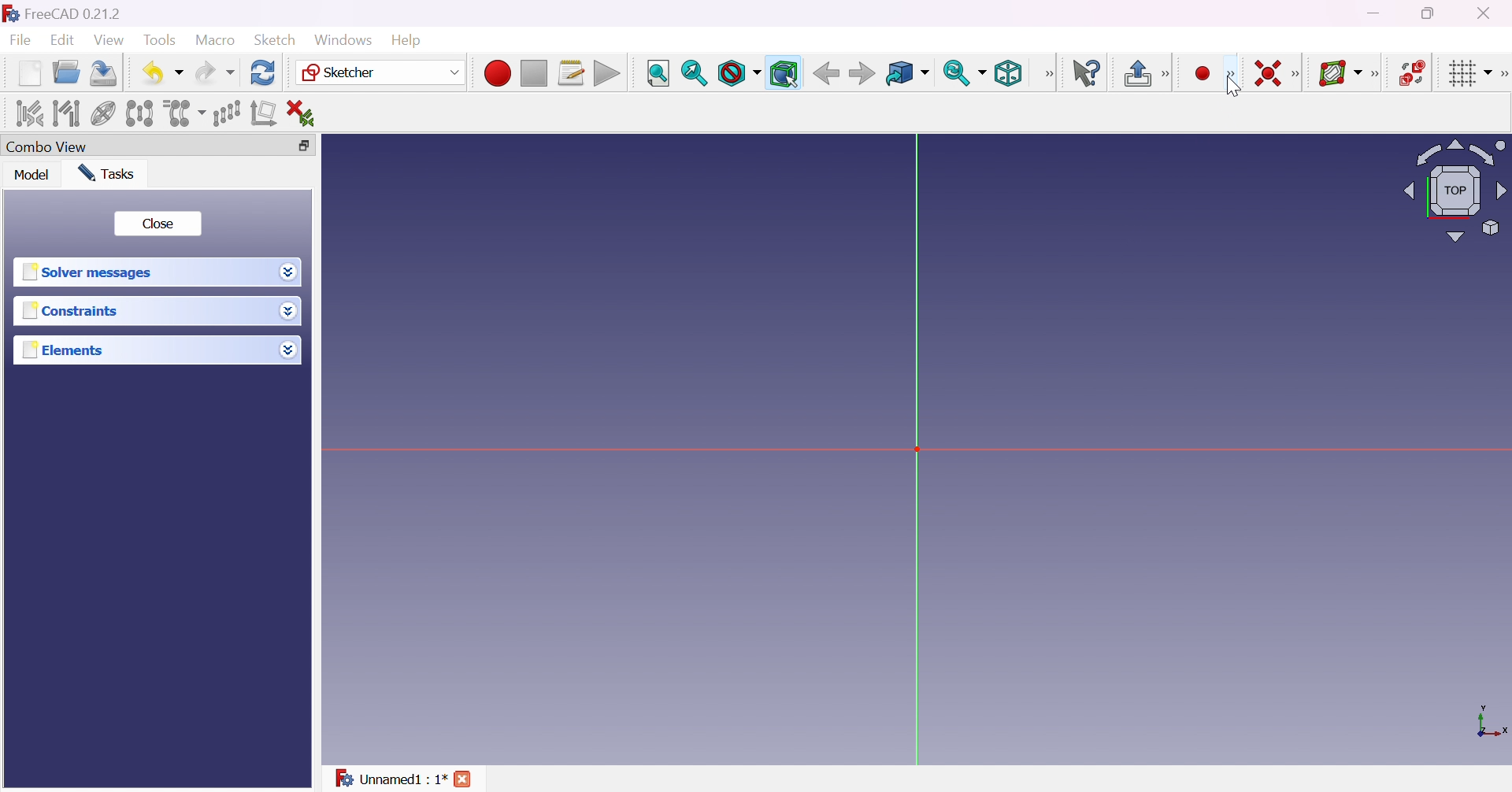  Describe the element at coordinates (532, 74) in the screenshot. I see `Stop macro recording` at that location.